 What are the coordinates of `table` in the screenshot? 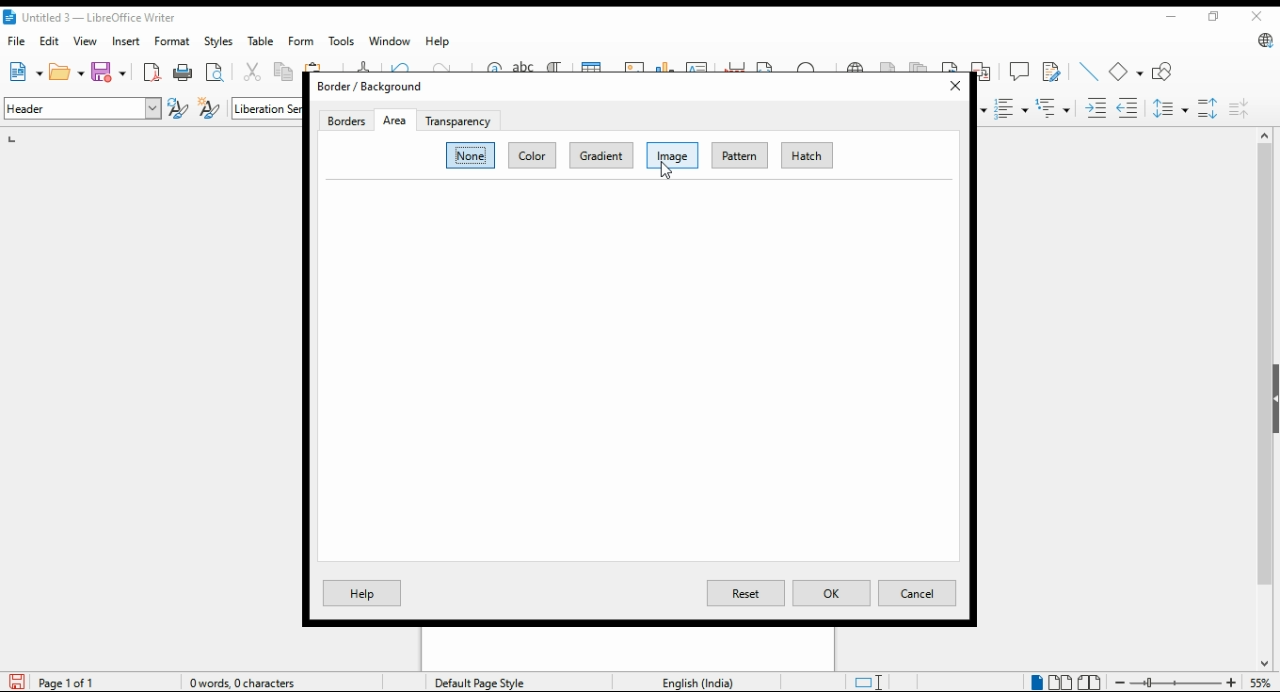 It's located at (263, 41).